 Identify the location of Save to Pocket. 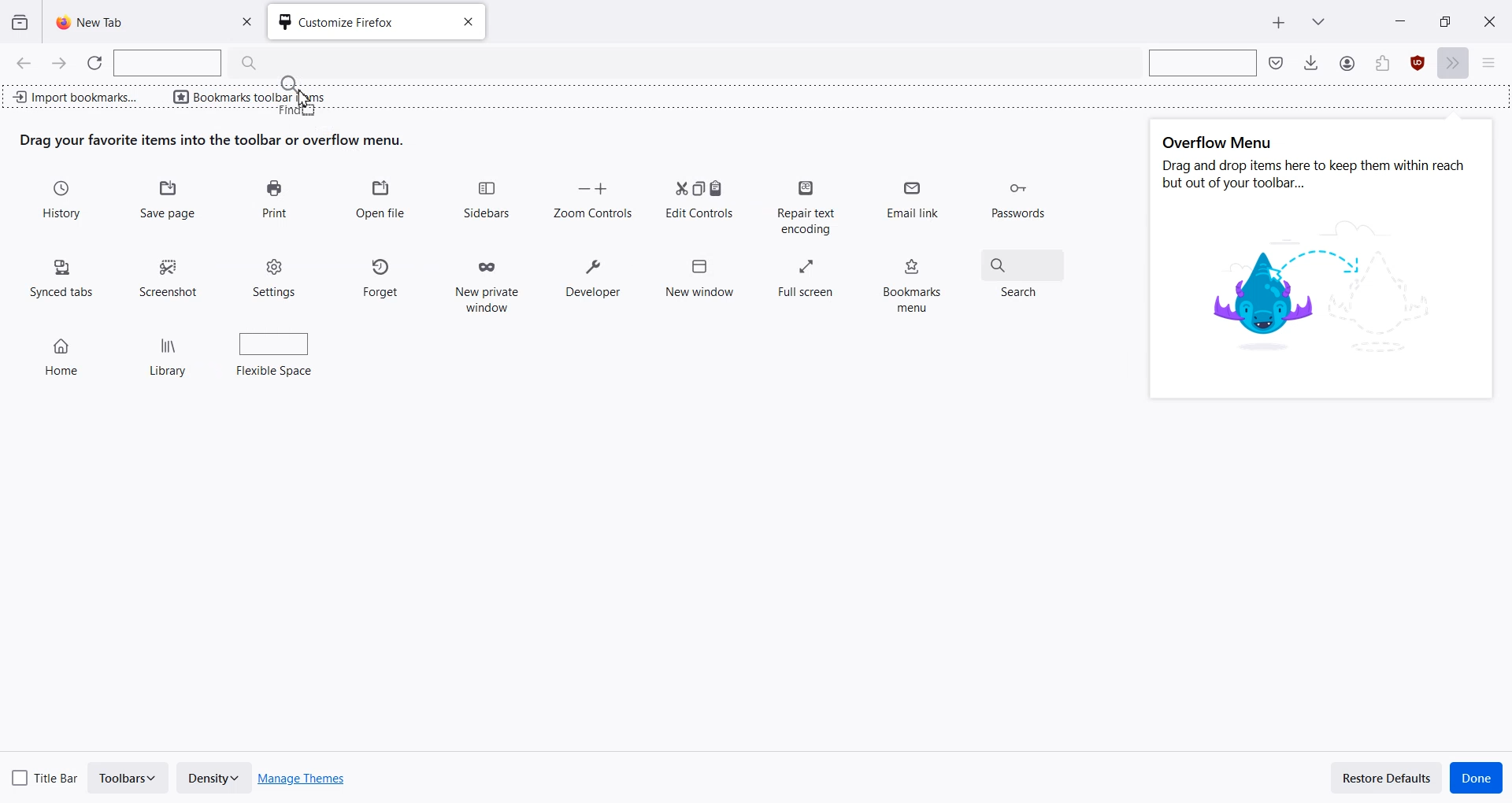
(1346, 63).